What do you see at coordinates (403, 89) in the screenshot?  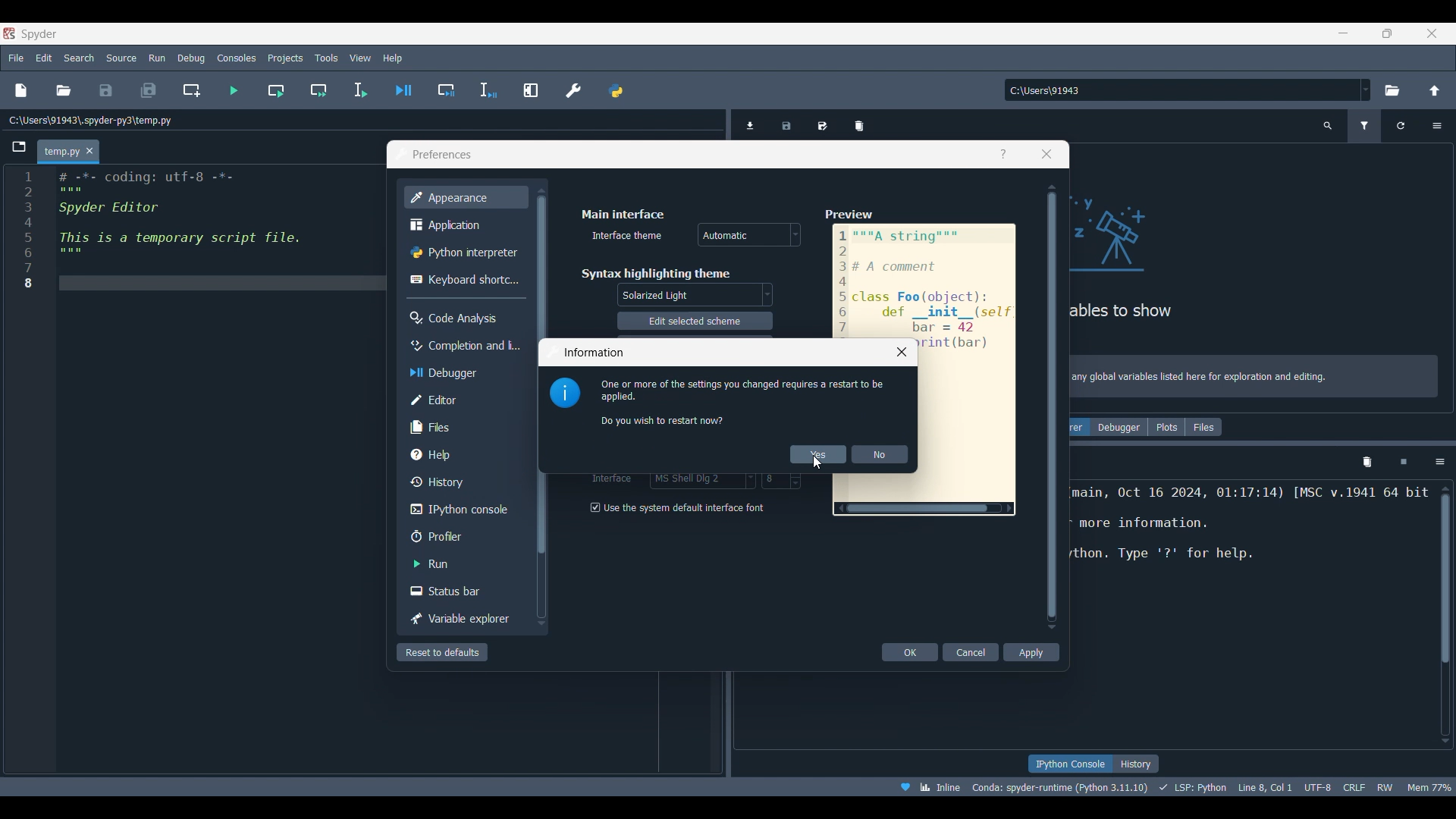 I see `Debug file` at bounding box center [403, 89].